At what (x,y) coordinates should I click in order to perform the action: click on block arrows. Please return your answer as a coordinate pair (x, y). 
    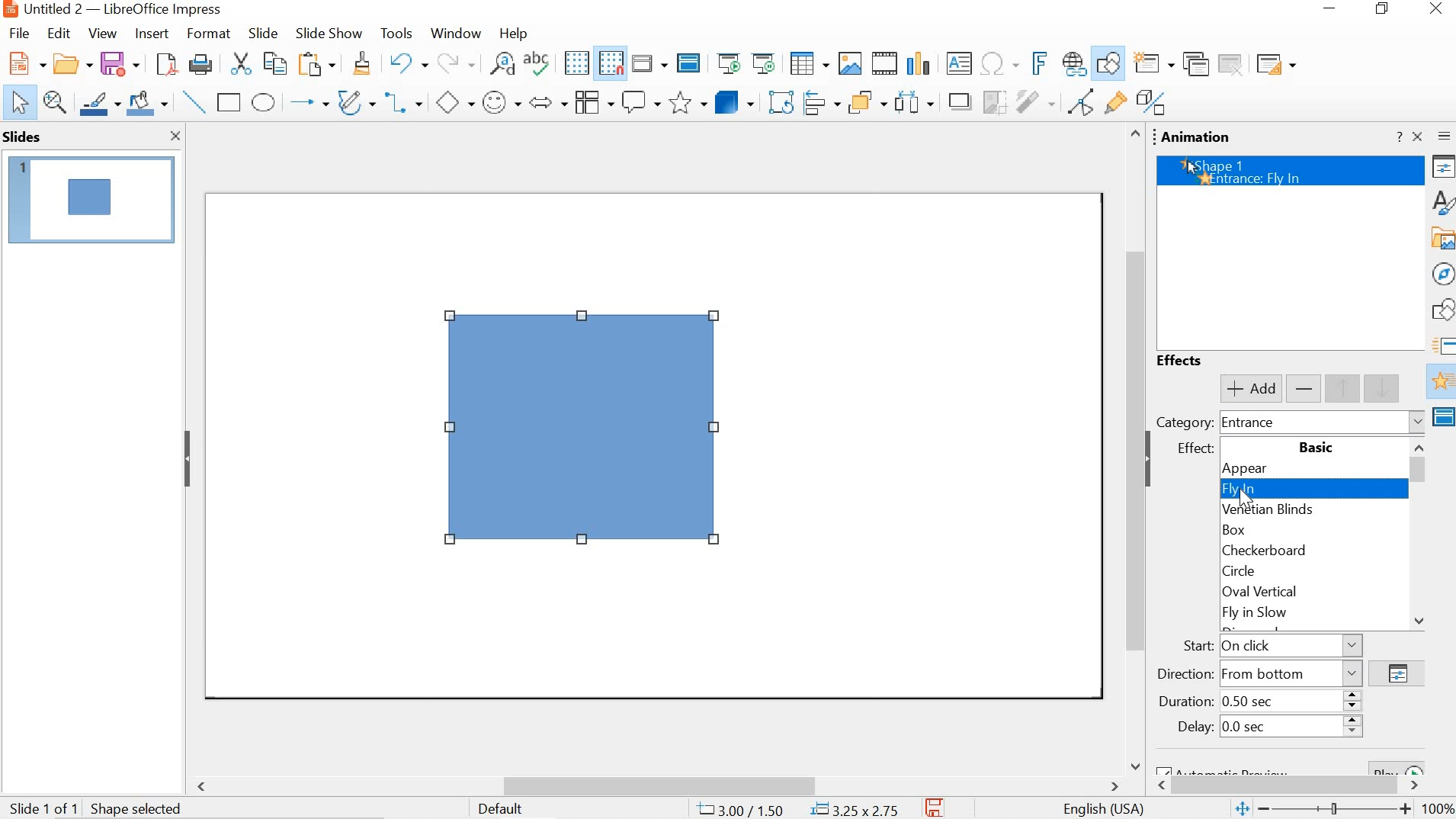
    Looking at the image, I should click on (549, 101).